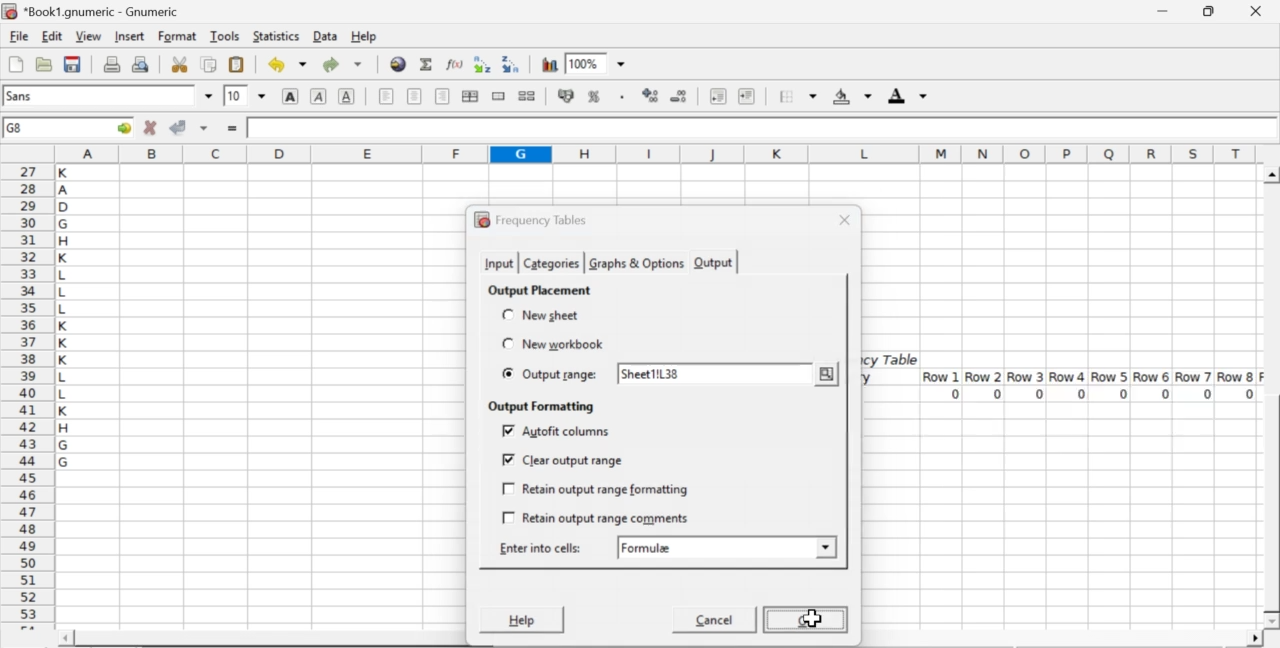 The image size is (1280, 648). I want to click on application name, so click(94, 9).